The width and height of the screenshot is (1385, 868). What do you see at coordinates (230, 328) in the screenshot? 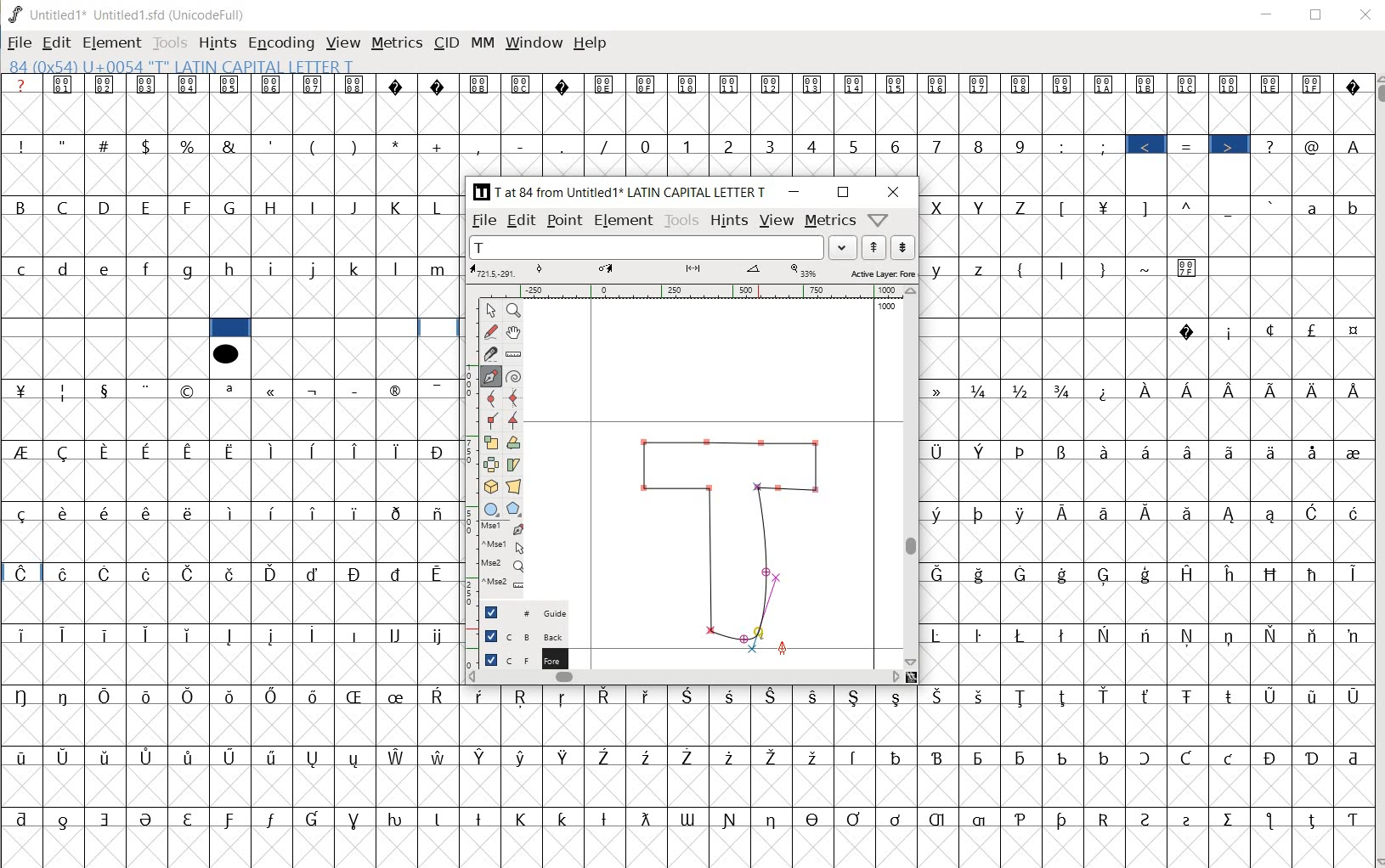
I see `cell selected` at bounding box center [230, 328].